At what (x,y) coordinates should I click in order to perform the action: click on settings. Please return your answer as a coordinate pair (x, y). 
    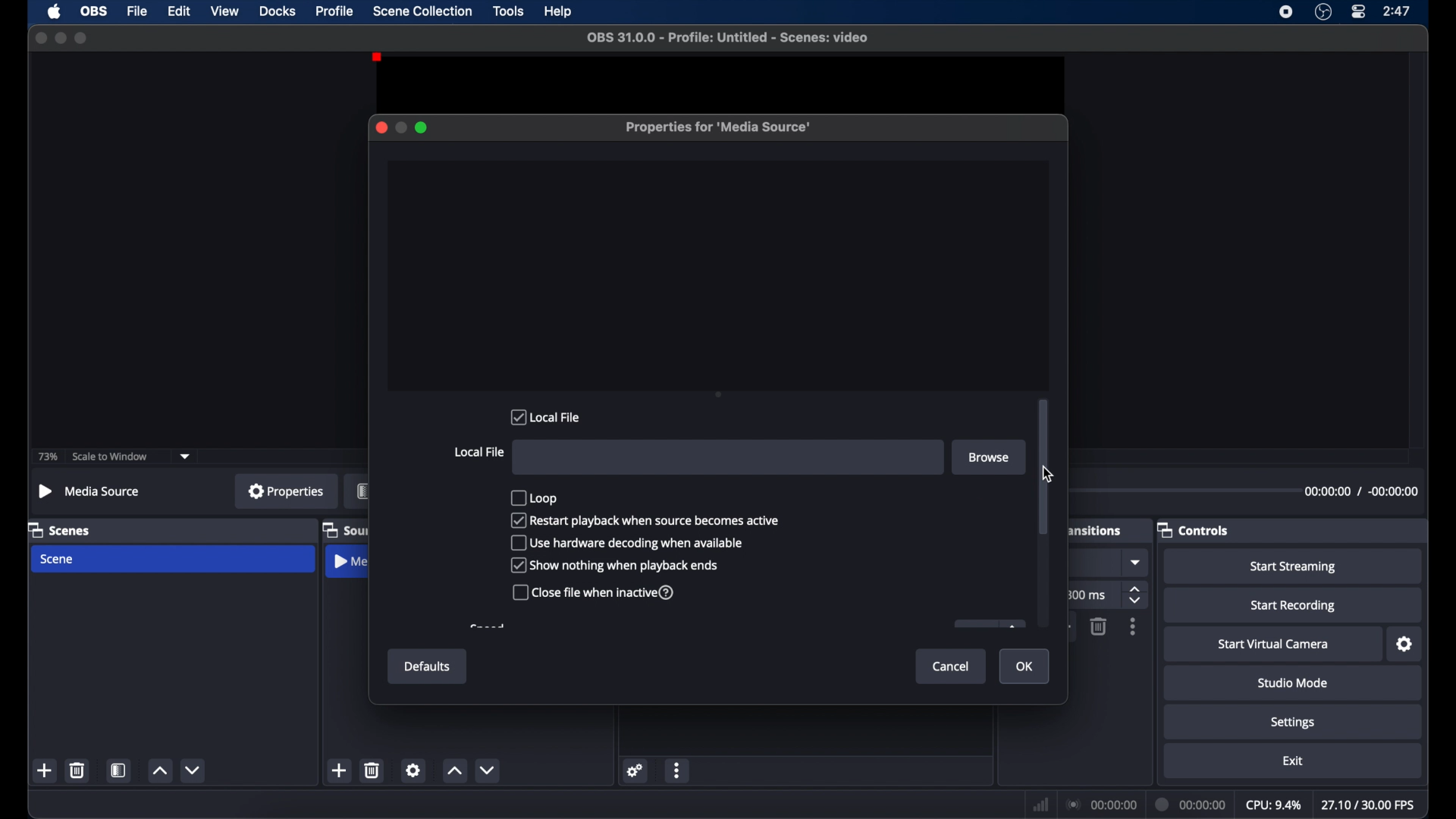
    Looking at the image, I should click on (636, 770).